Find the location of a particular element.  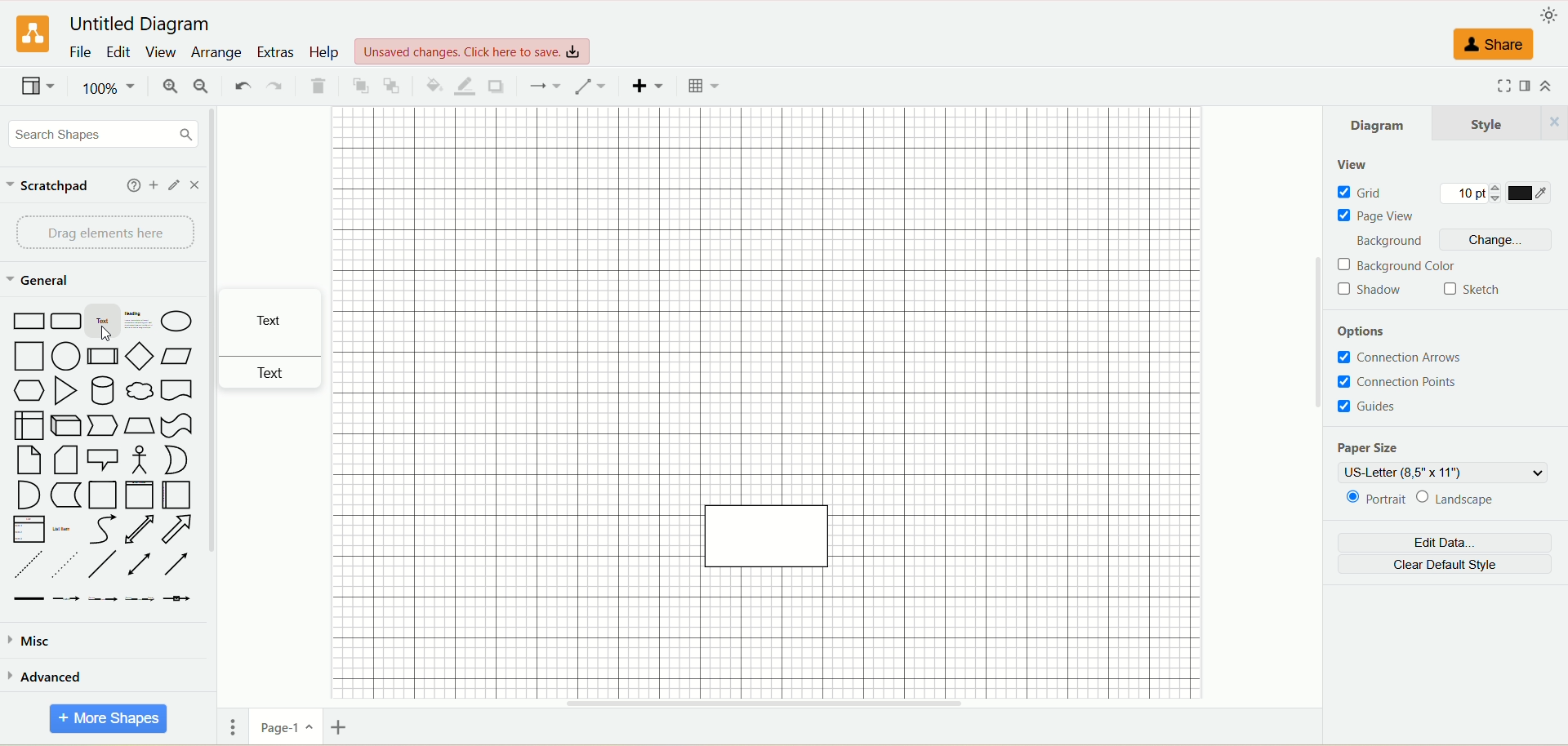

pages is located at coordinates (229, 728).